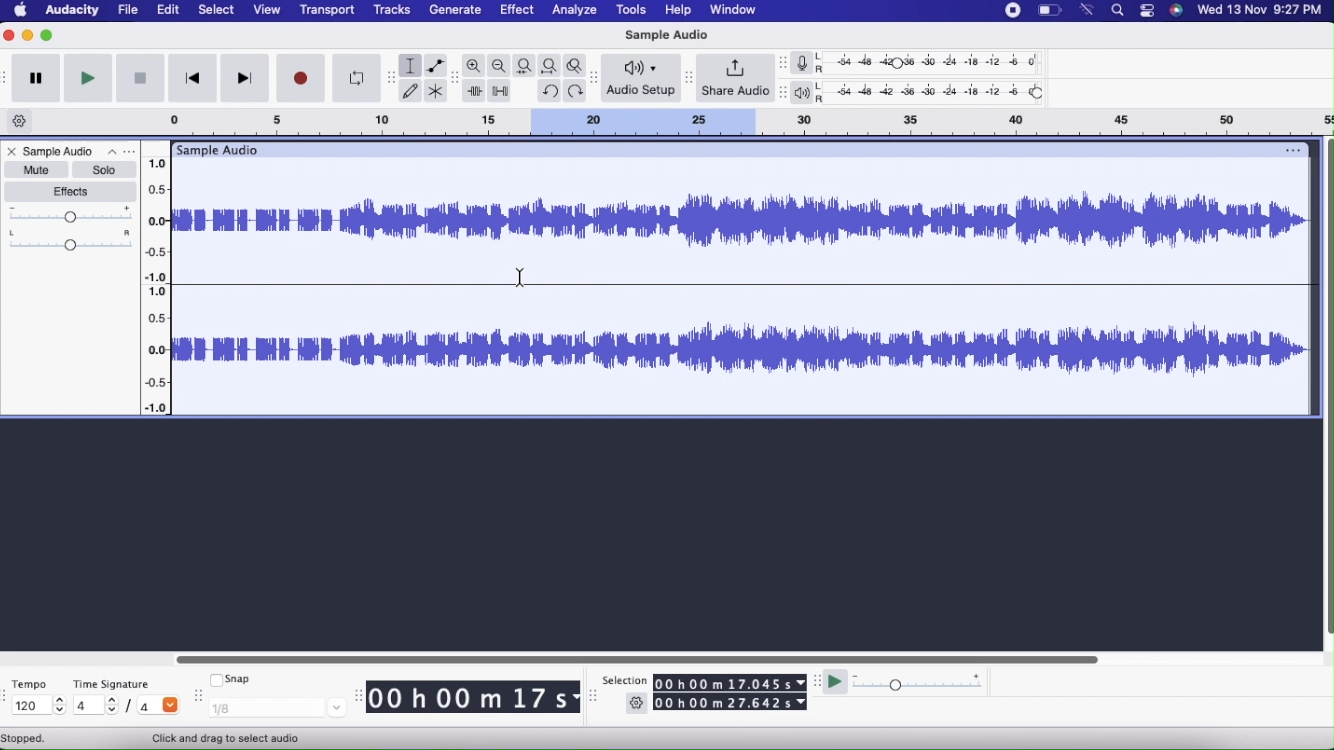  Describe the element at coordinates (104, 170) in the screenshot. I see `Solo` at that location.